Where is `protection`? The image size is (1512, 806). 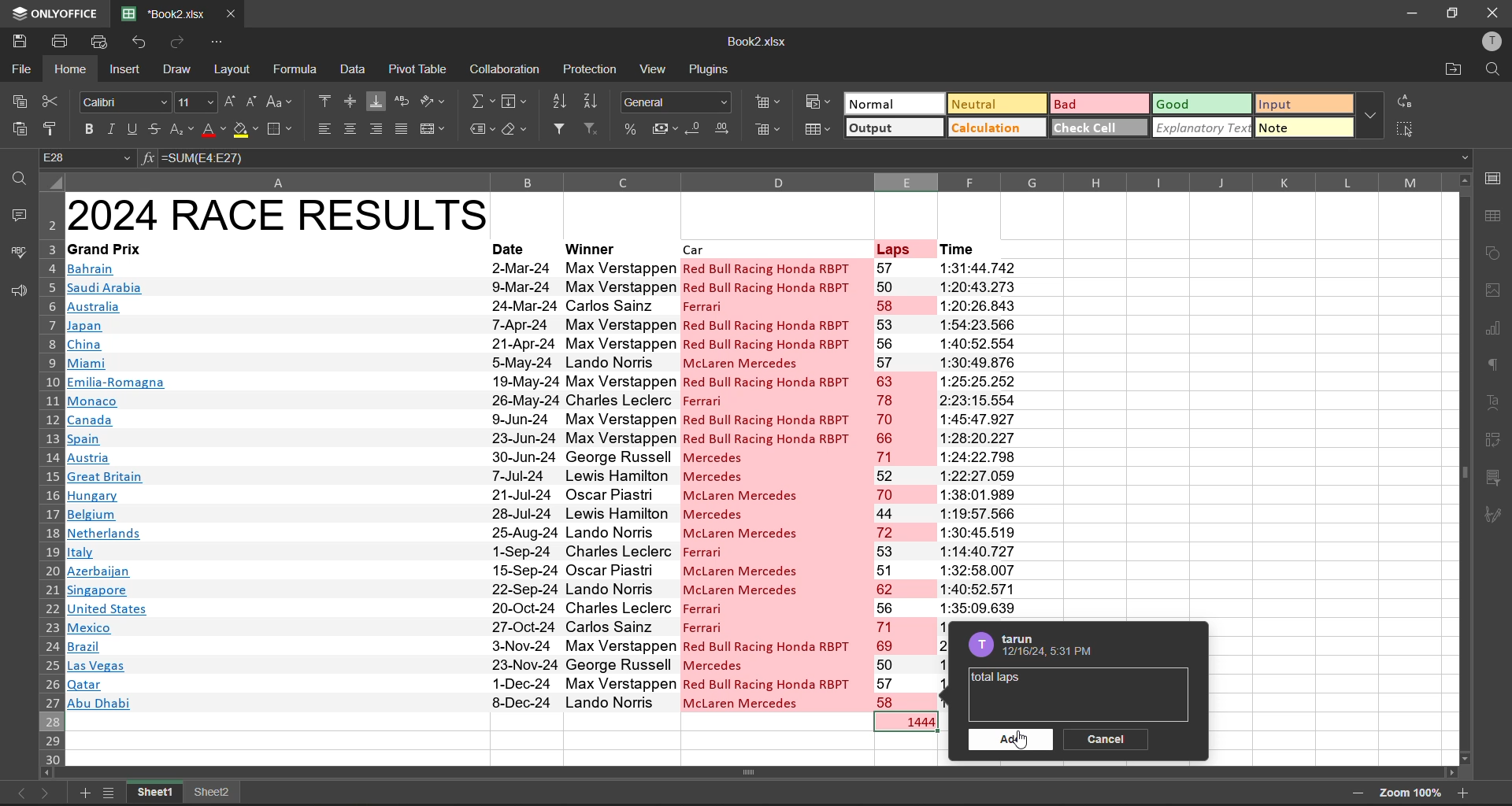
protection is located at coordinates (591, 70).